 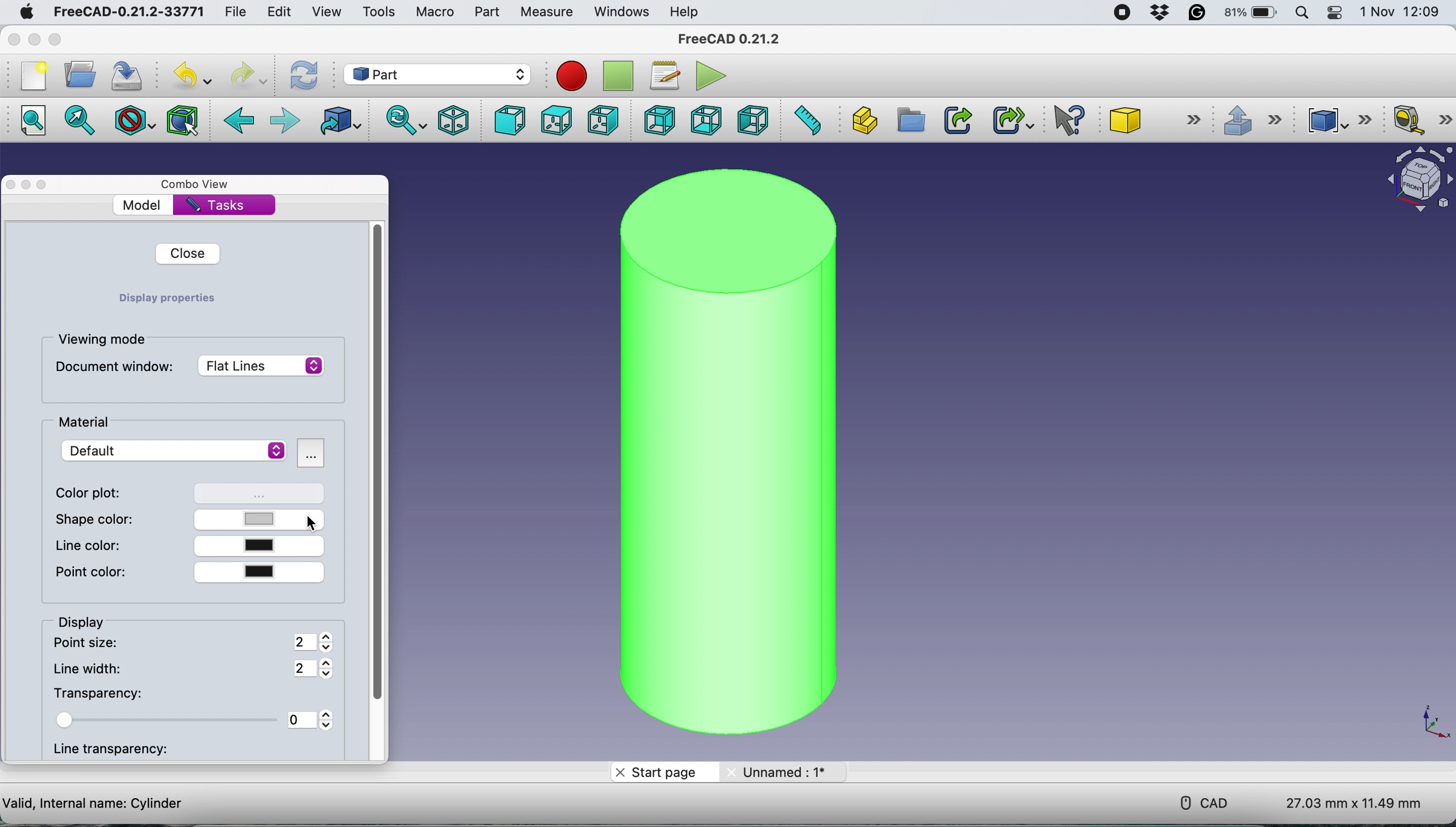 What do you see at coordinates (438, 13) in the screenshot?
I see `macro` at bounding box center [438, 13].